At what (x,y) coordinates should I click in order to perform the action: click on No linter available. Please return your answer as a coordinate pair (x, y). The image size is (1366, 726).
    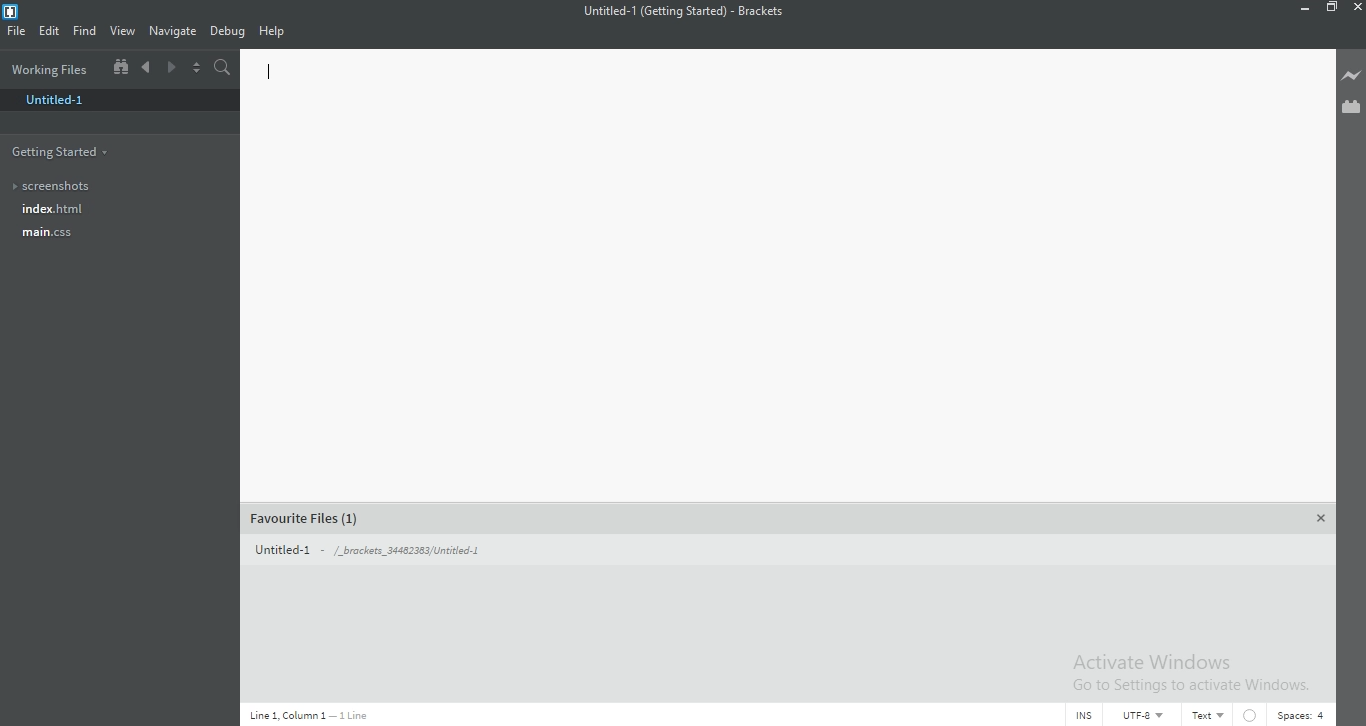
    Looking at the image, I should click on (1254, 716).